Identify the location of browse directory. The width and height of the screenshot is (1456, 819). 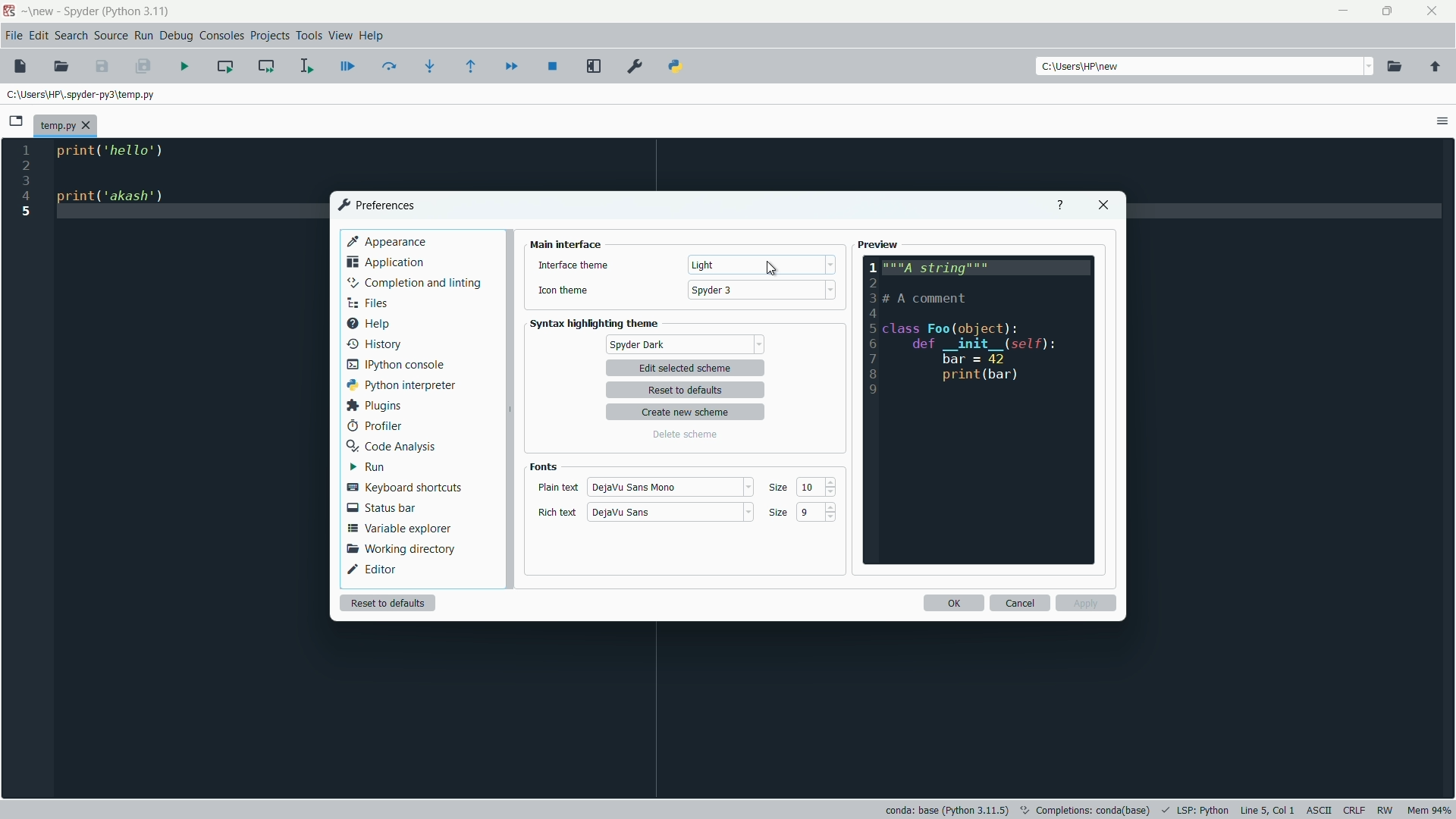
(1395, 67).